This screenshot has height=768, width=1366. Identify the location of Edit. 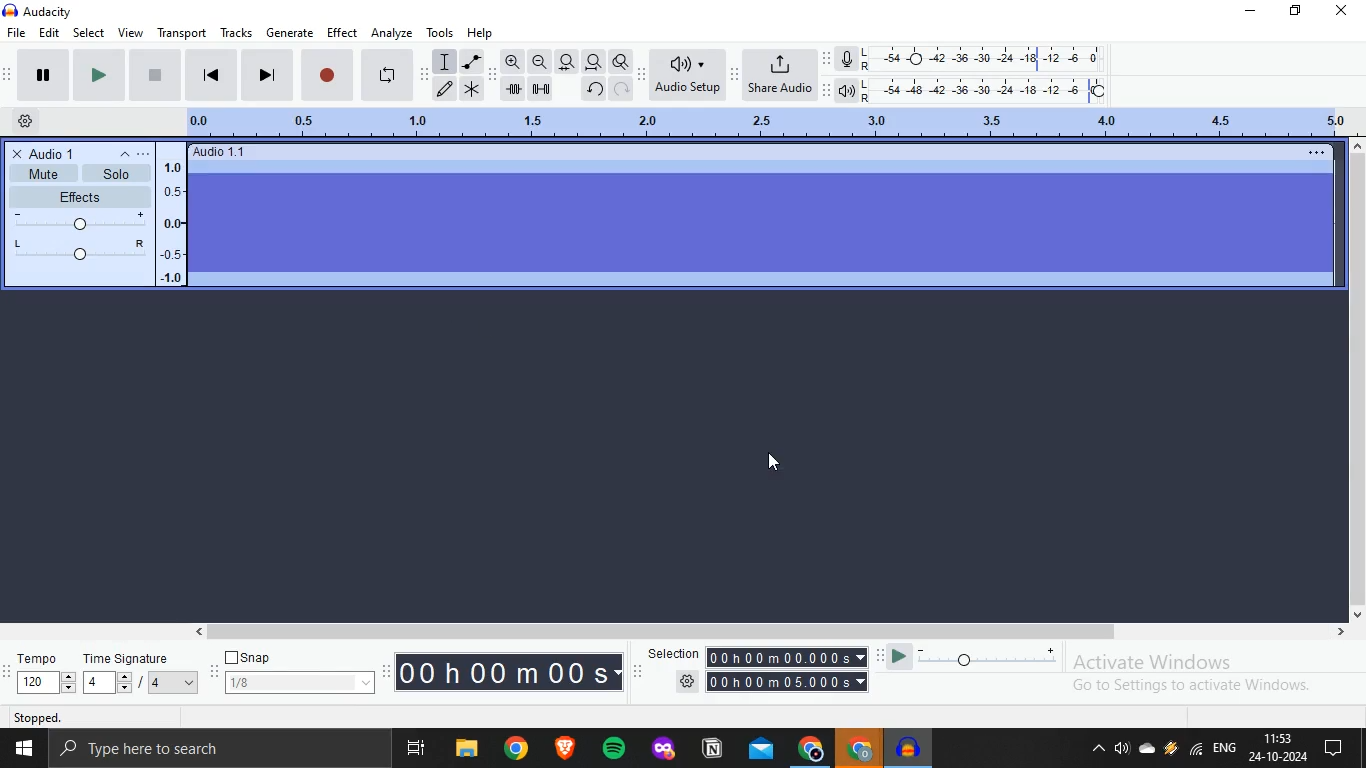
(444, 91).